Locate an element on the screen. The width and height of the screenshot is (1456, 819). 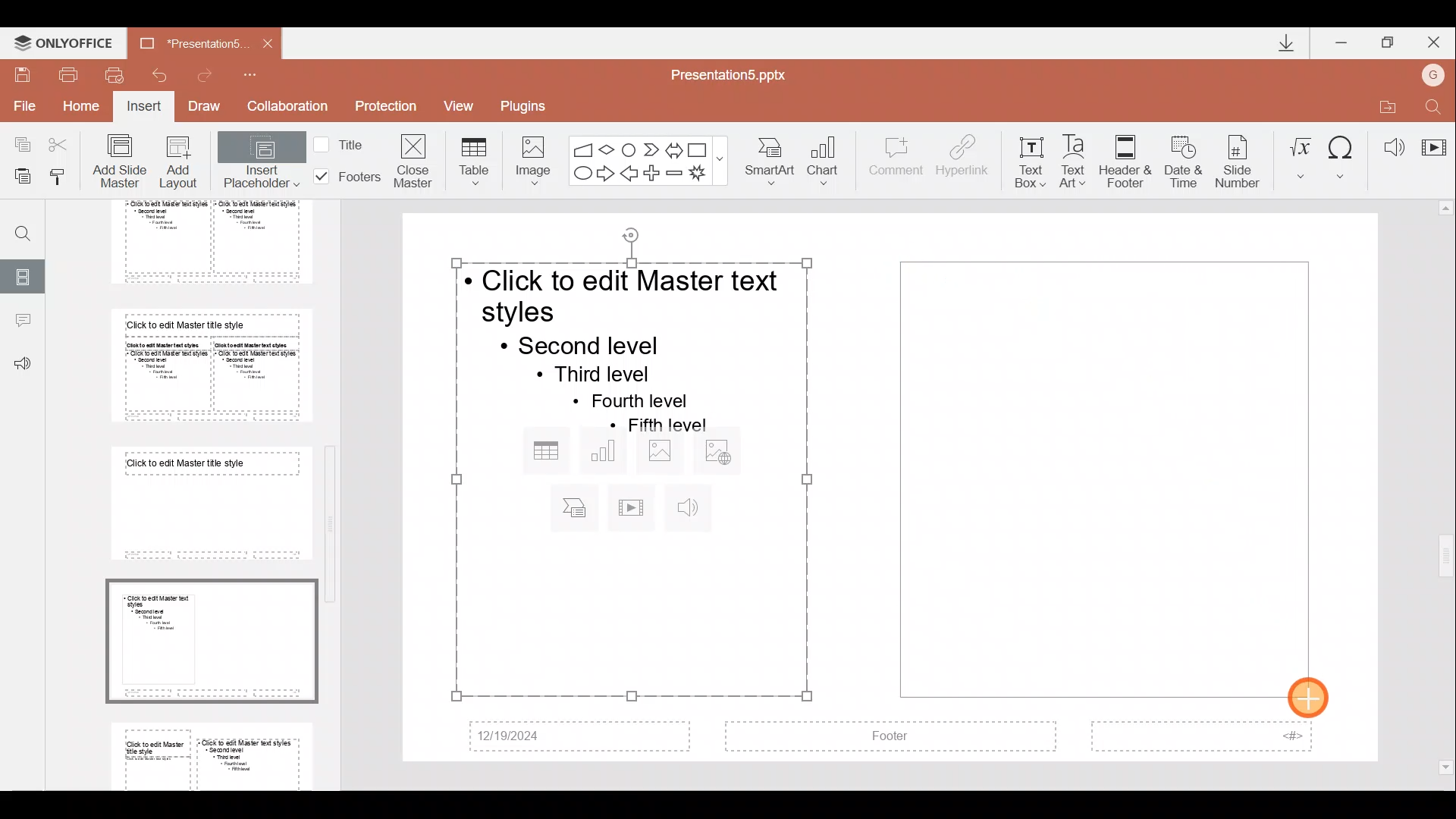
Scroll bar is located at coordinates (334, 485).